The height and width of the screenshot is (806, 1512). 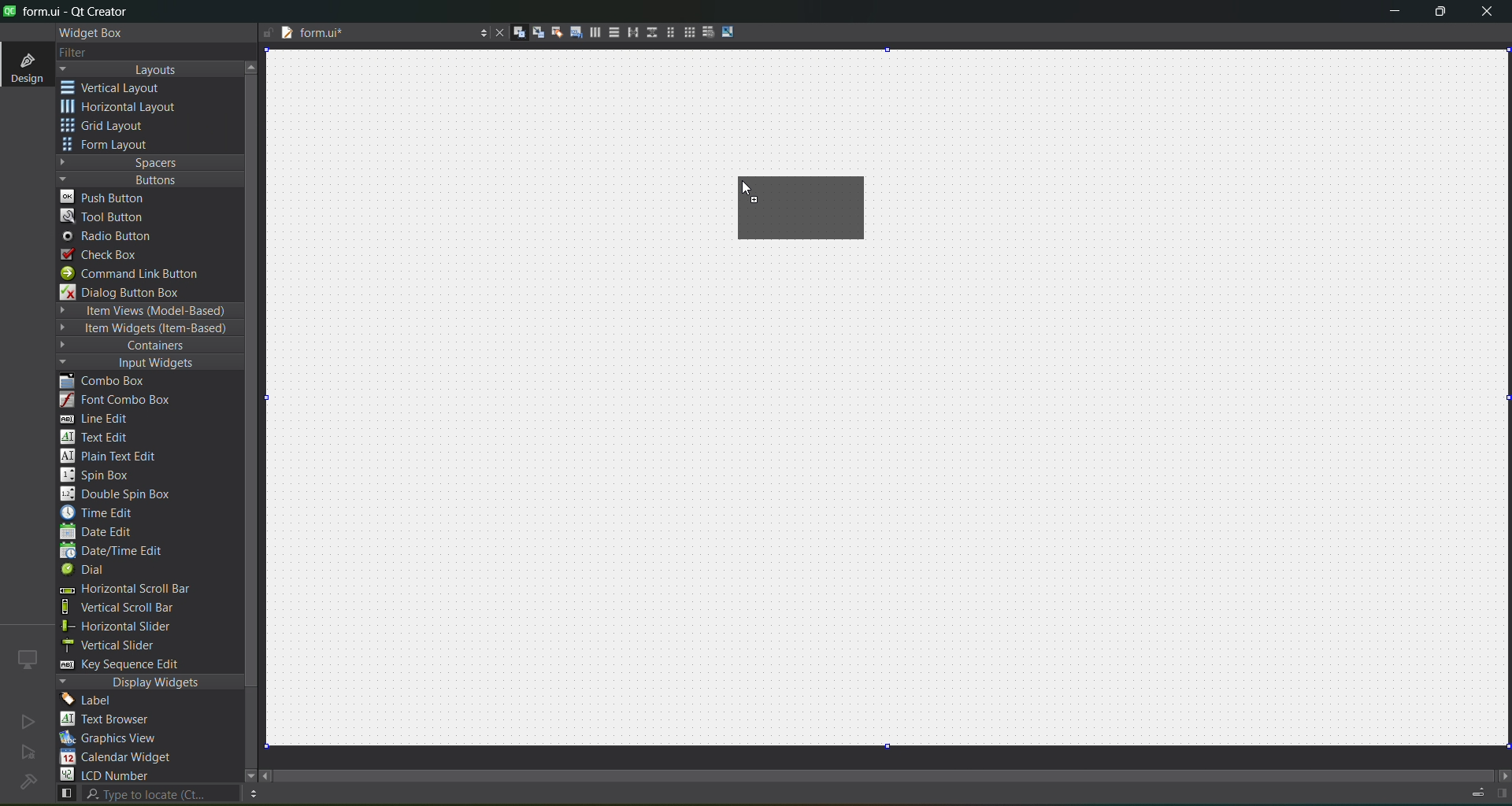 I want to click on display widgets, so click(x=150, y=682).